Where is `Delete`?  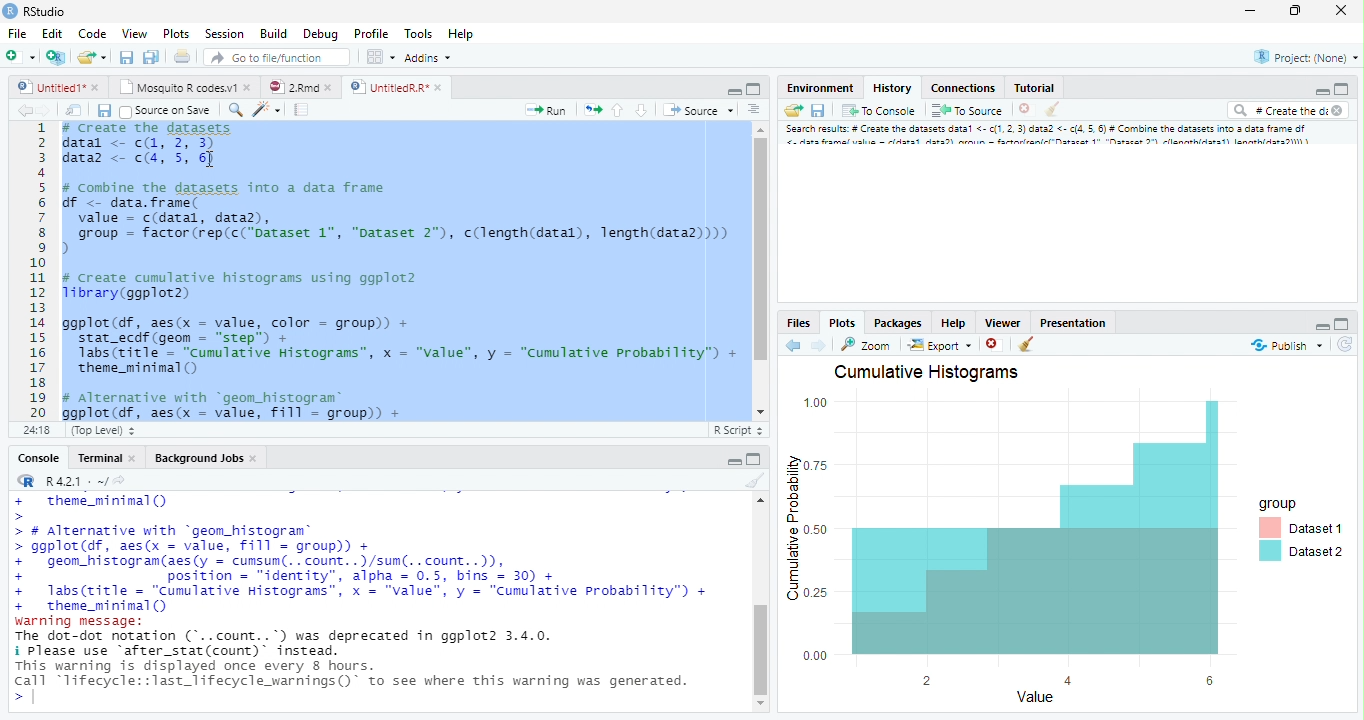
Delete is located at coordinates (1025, 110).